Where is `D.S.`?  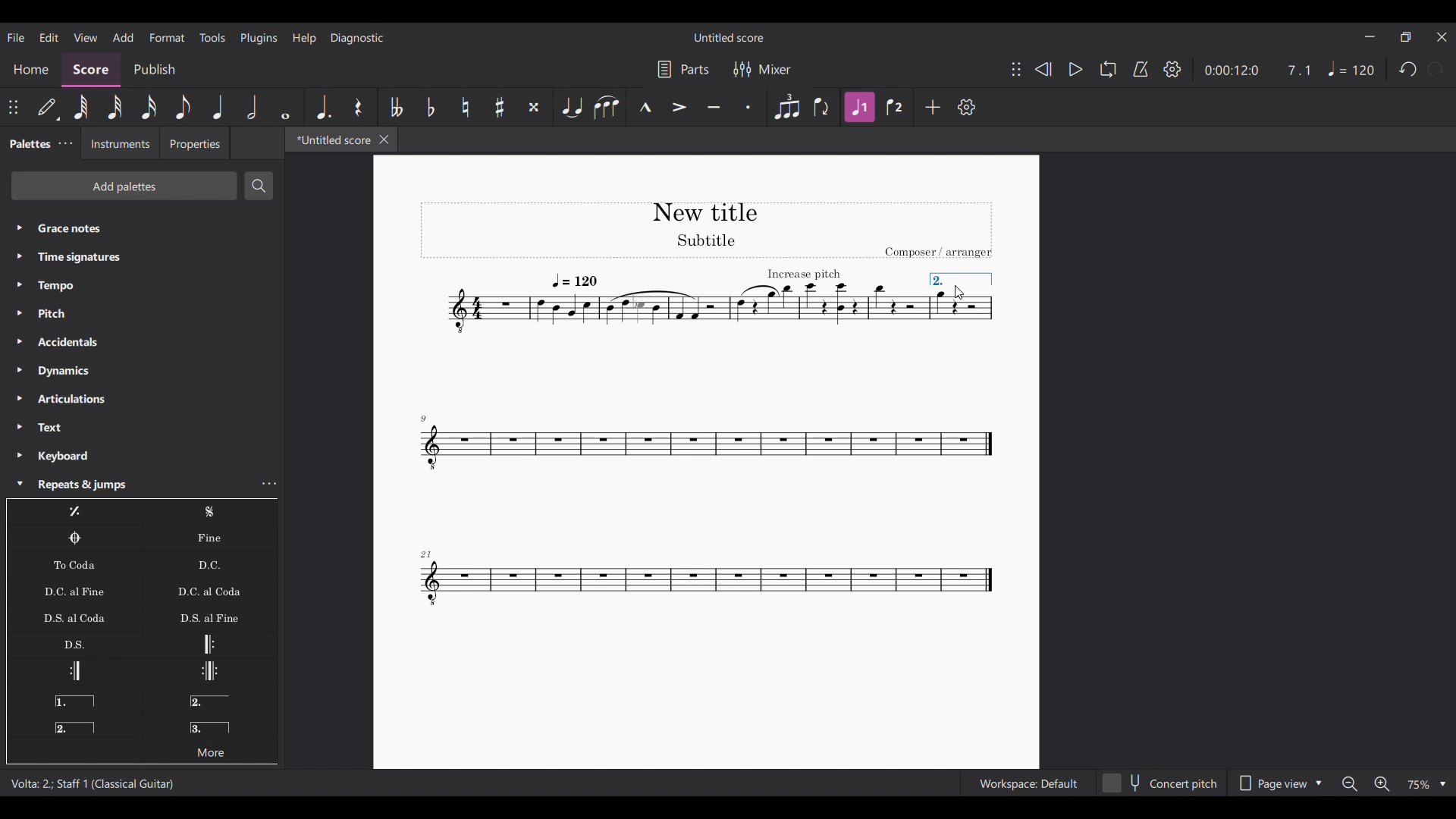
D.S. is located at coordinates (74, 644).